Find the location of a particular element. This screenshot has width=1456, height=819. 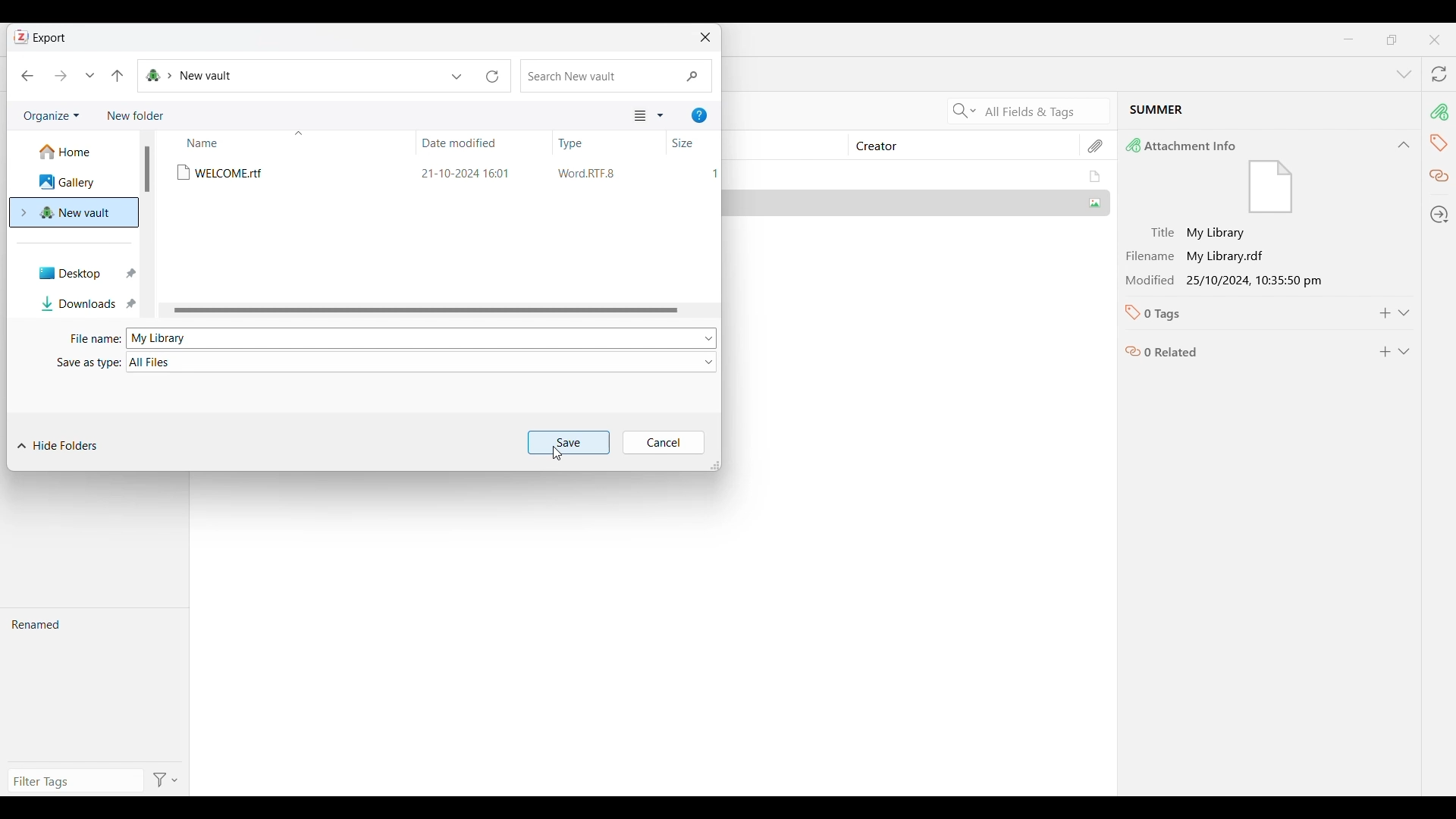

Summer is located at coordinates (918, 202).